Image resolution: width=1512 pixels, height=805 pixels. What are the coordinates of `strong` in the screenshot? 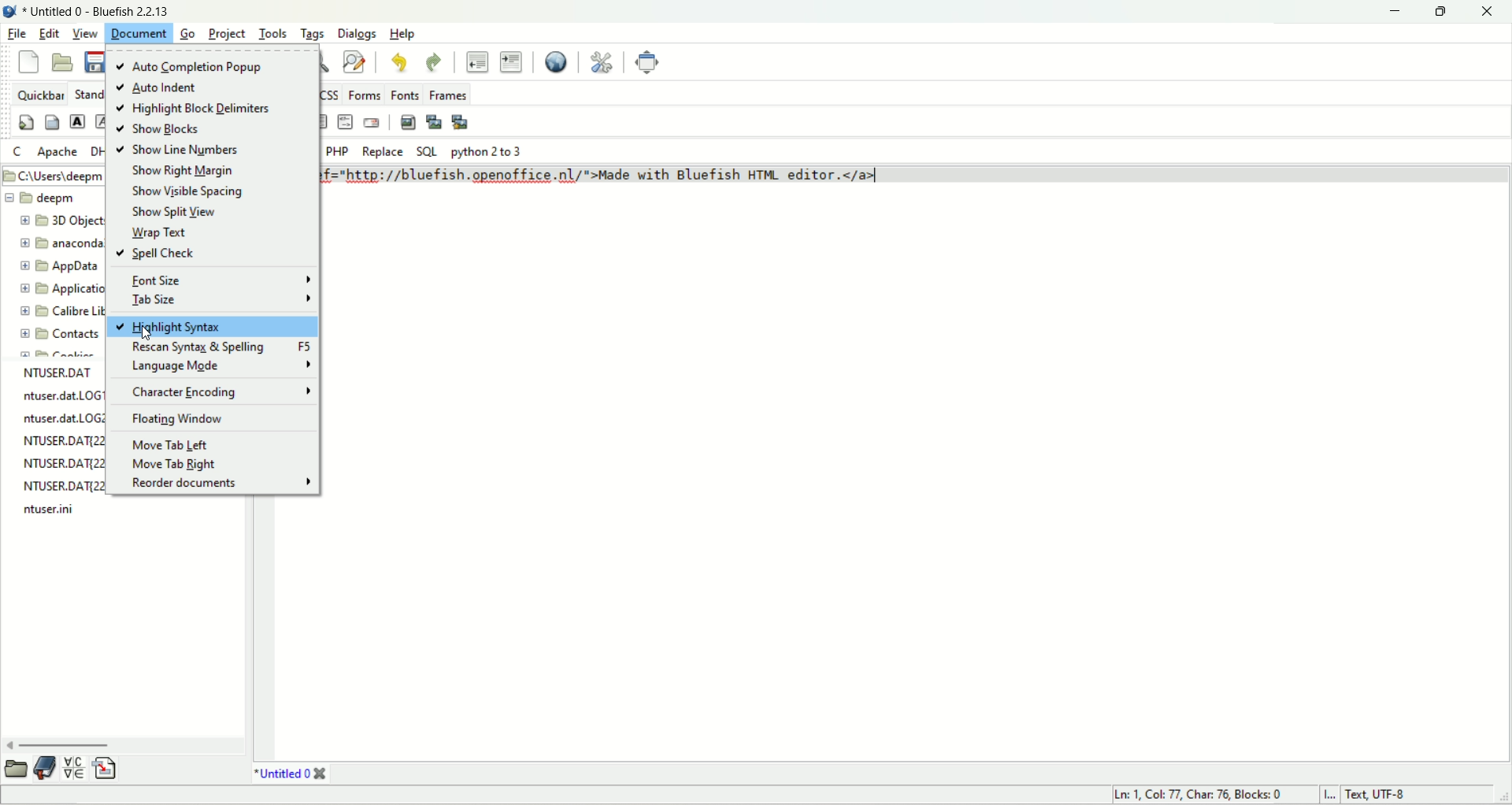 It's located at (76, 121).